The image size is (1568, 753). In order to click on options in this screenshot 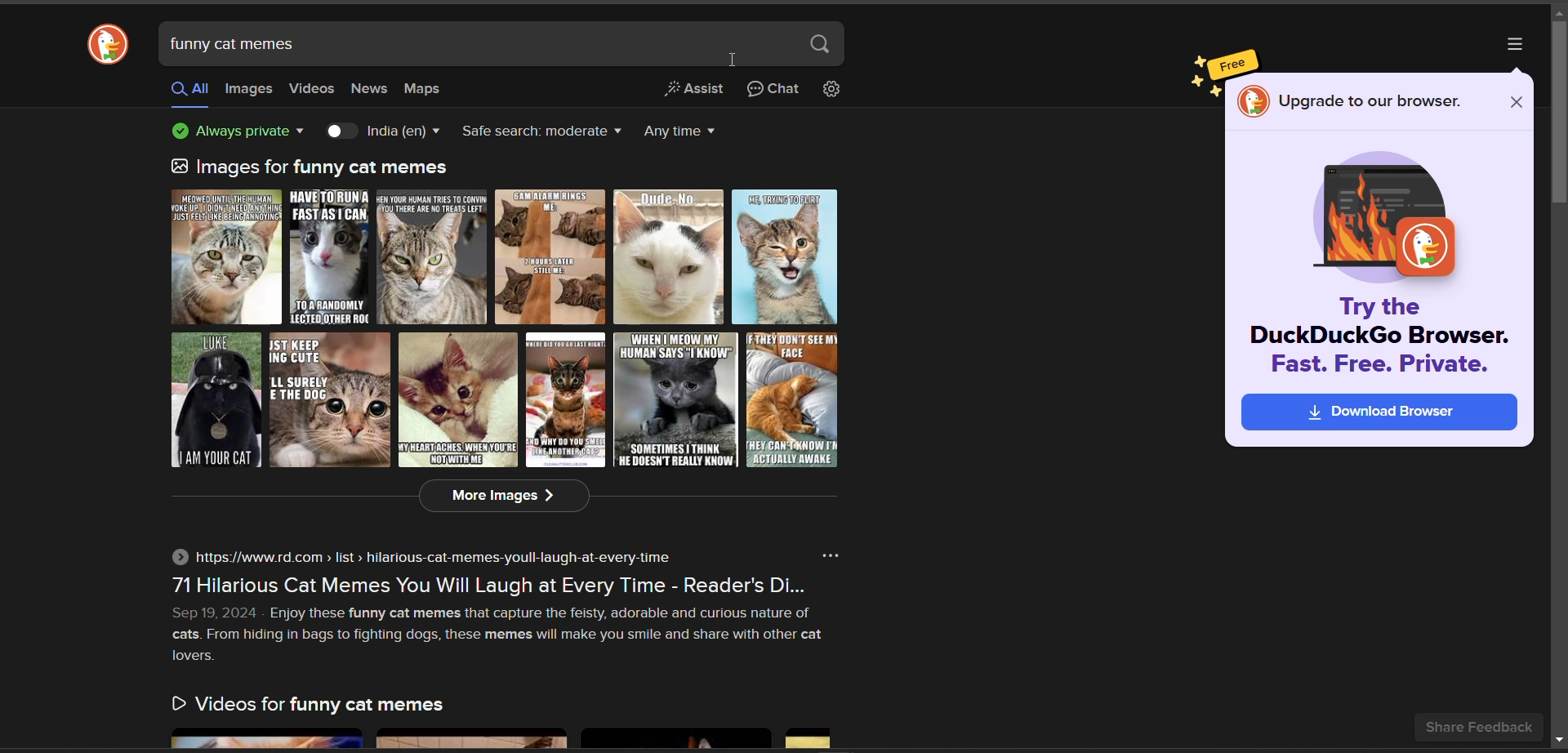, I will do `click(1512, 42)`.